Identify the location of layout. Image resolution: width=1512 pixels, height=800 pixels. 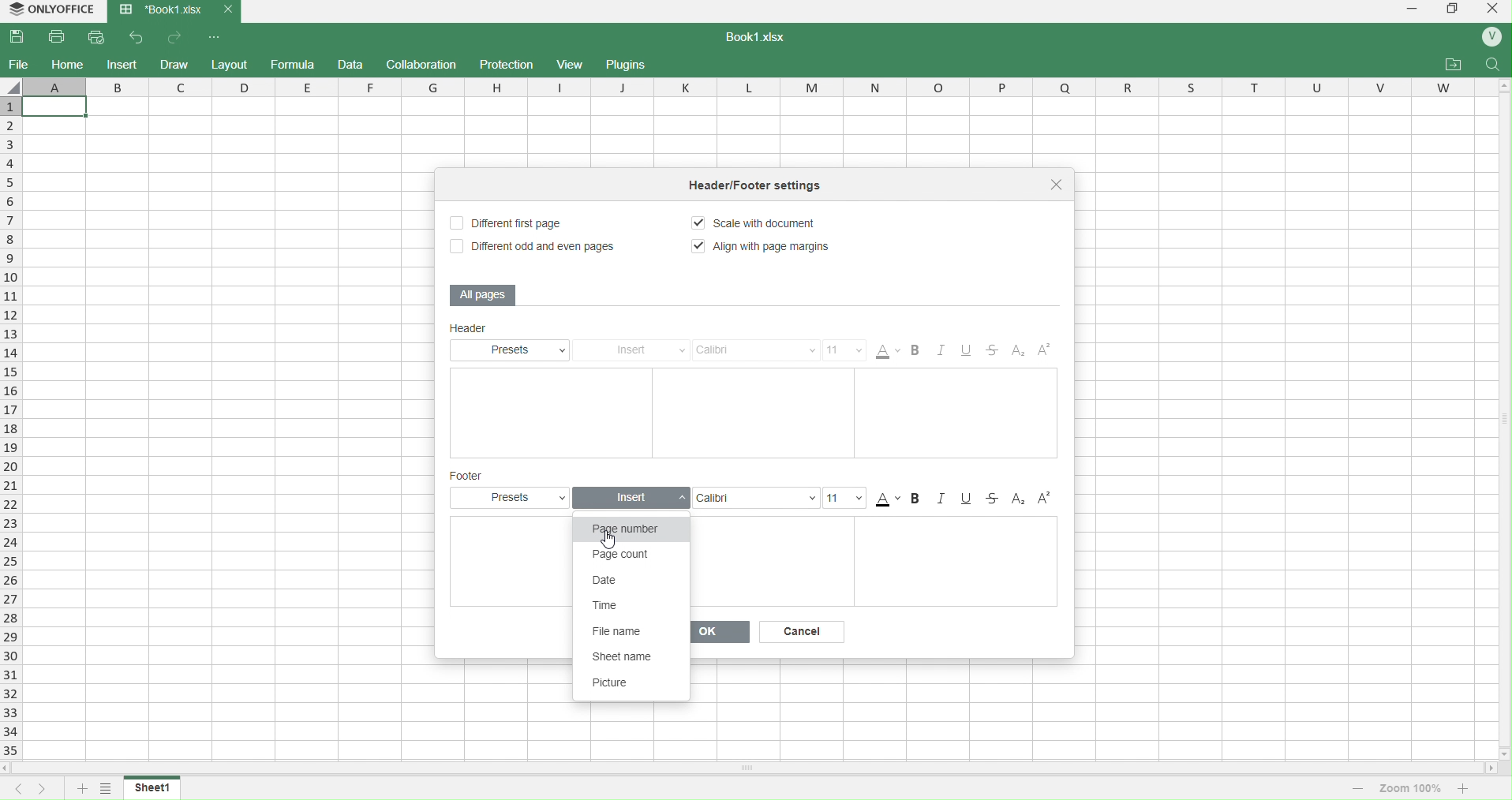
(231, 63).